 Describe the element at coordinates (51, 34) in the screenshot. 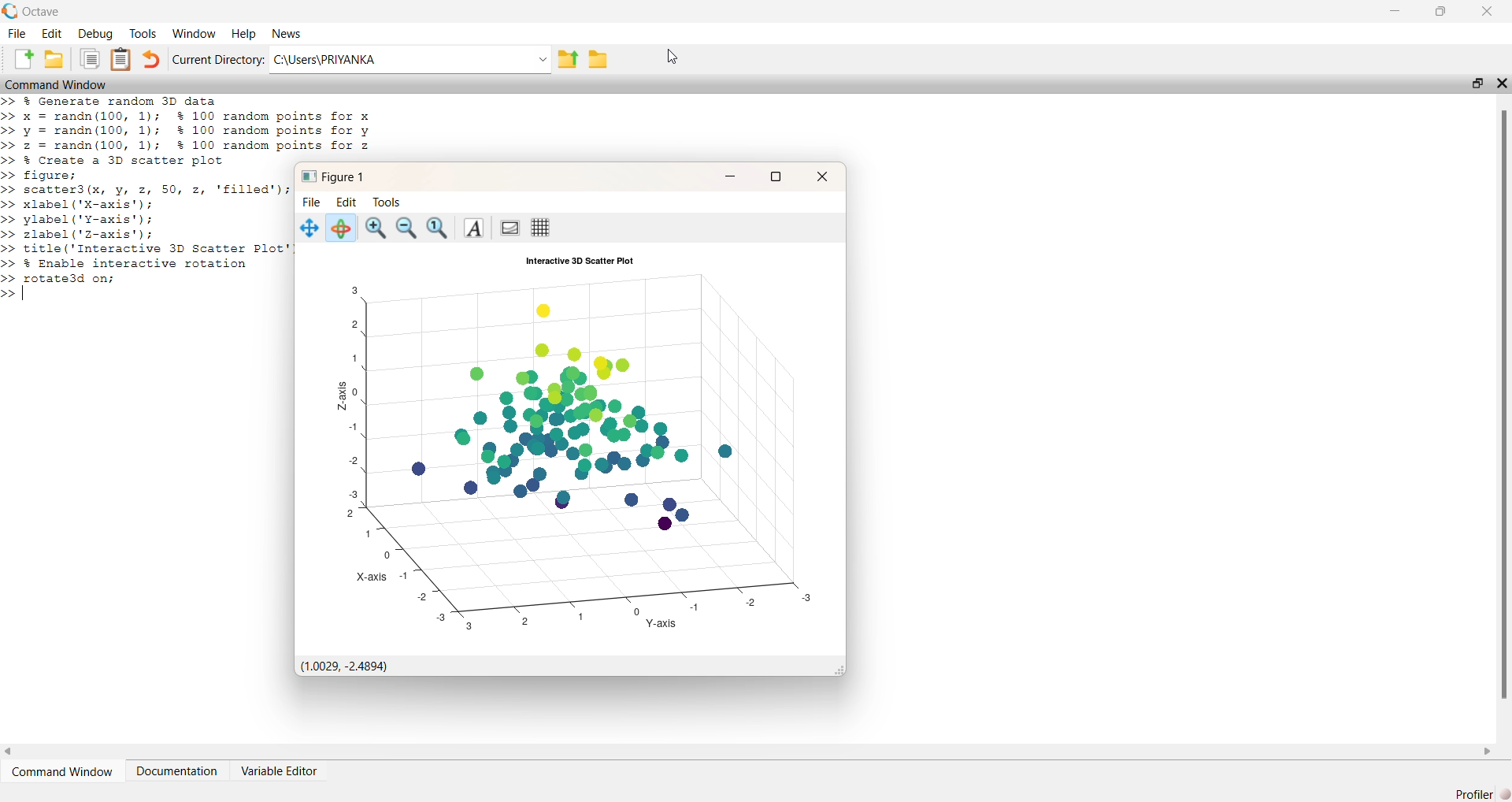

I see `Edit` at that location.